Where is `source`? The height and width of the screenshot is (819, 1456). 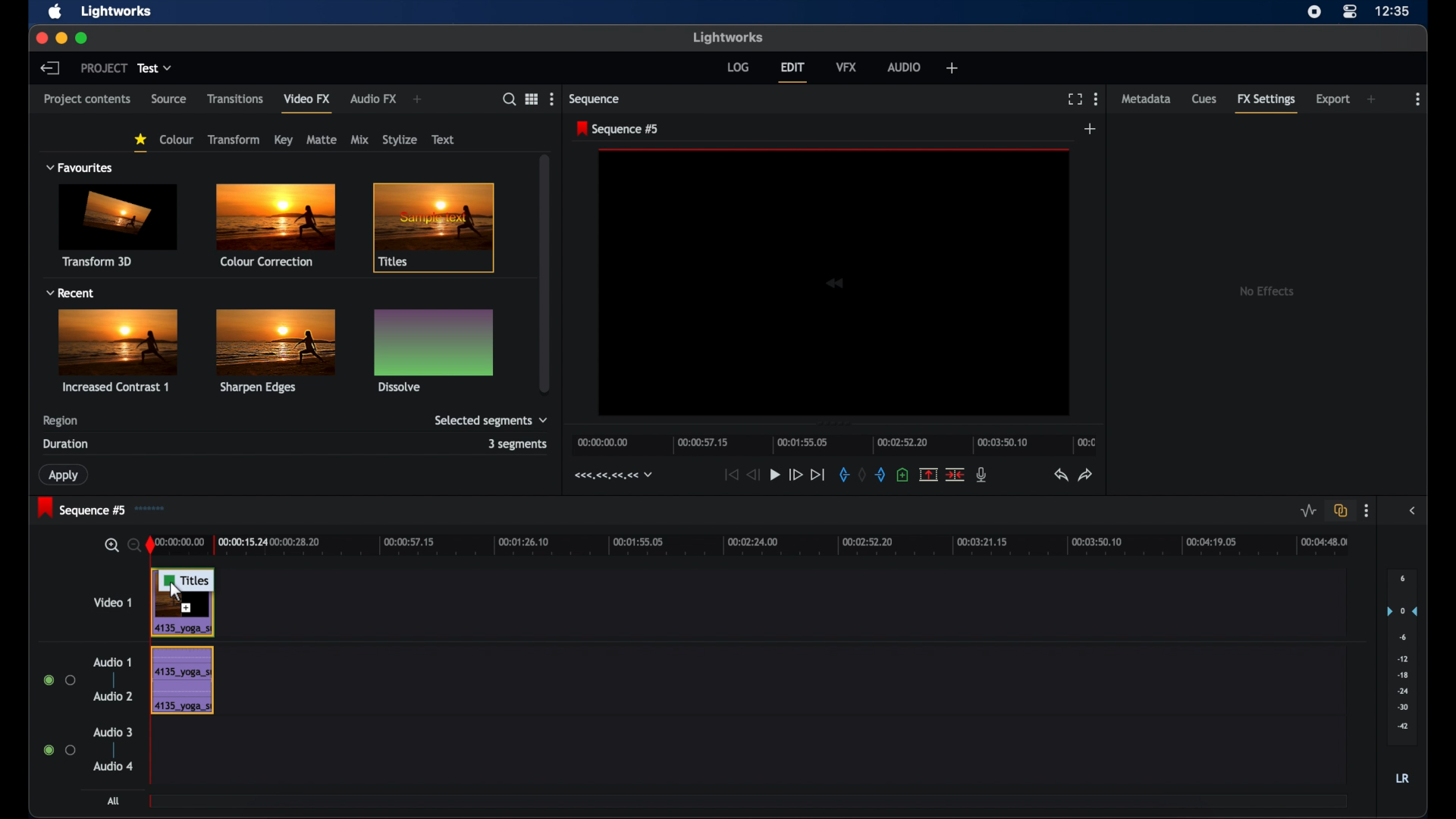 source is located at coordinates (169, 99).